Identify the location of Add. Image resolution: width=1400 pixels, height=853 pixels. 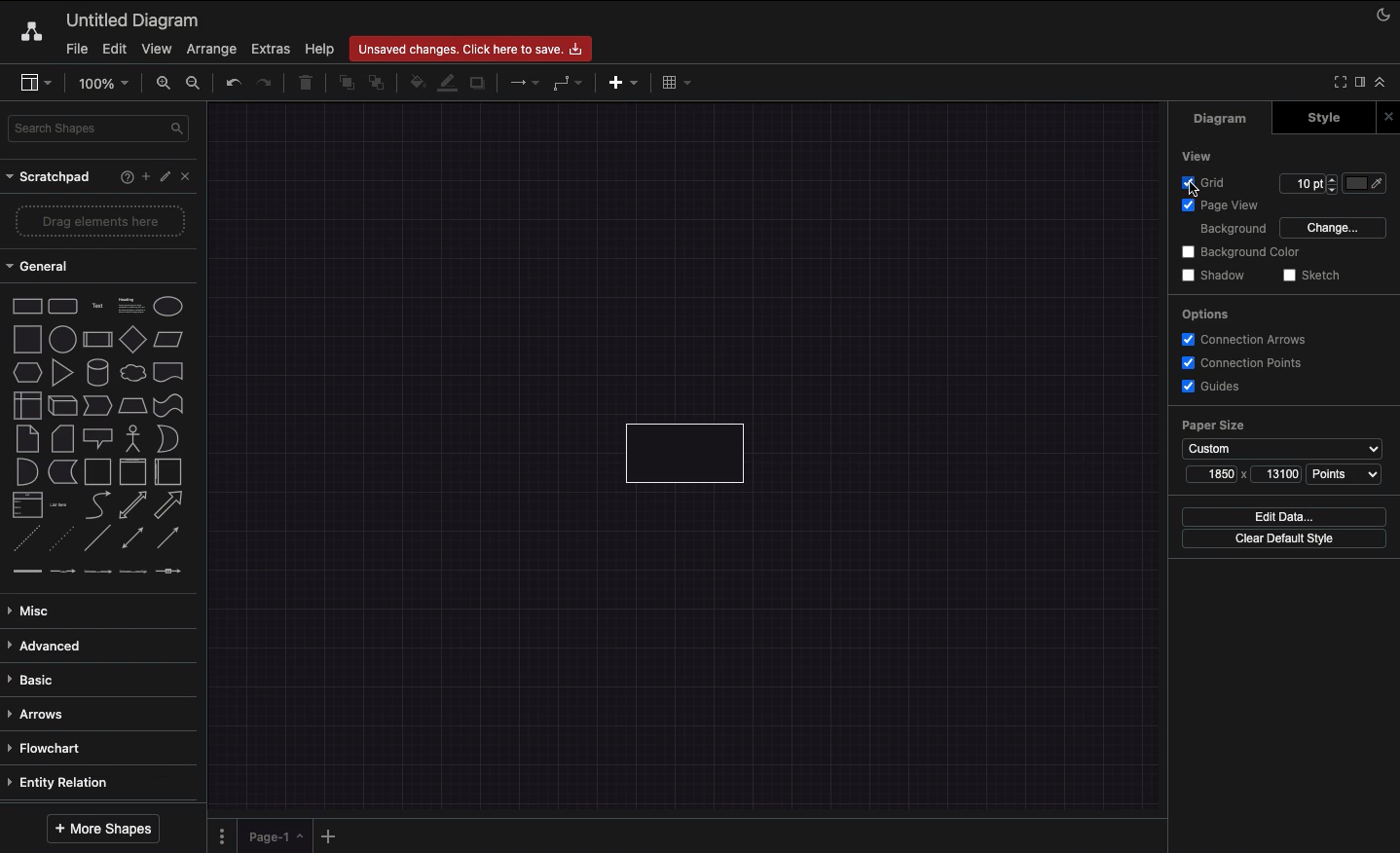
(142, 177).